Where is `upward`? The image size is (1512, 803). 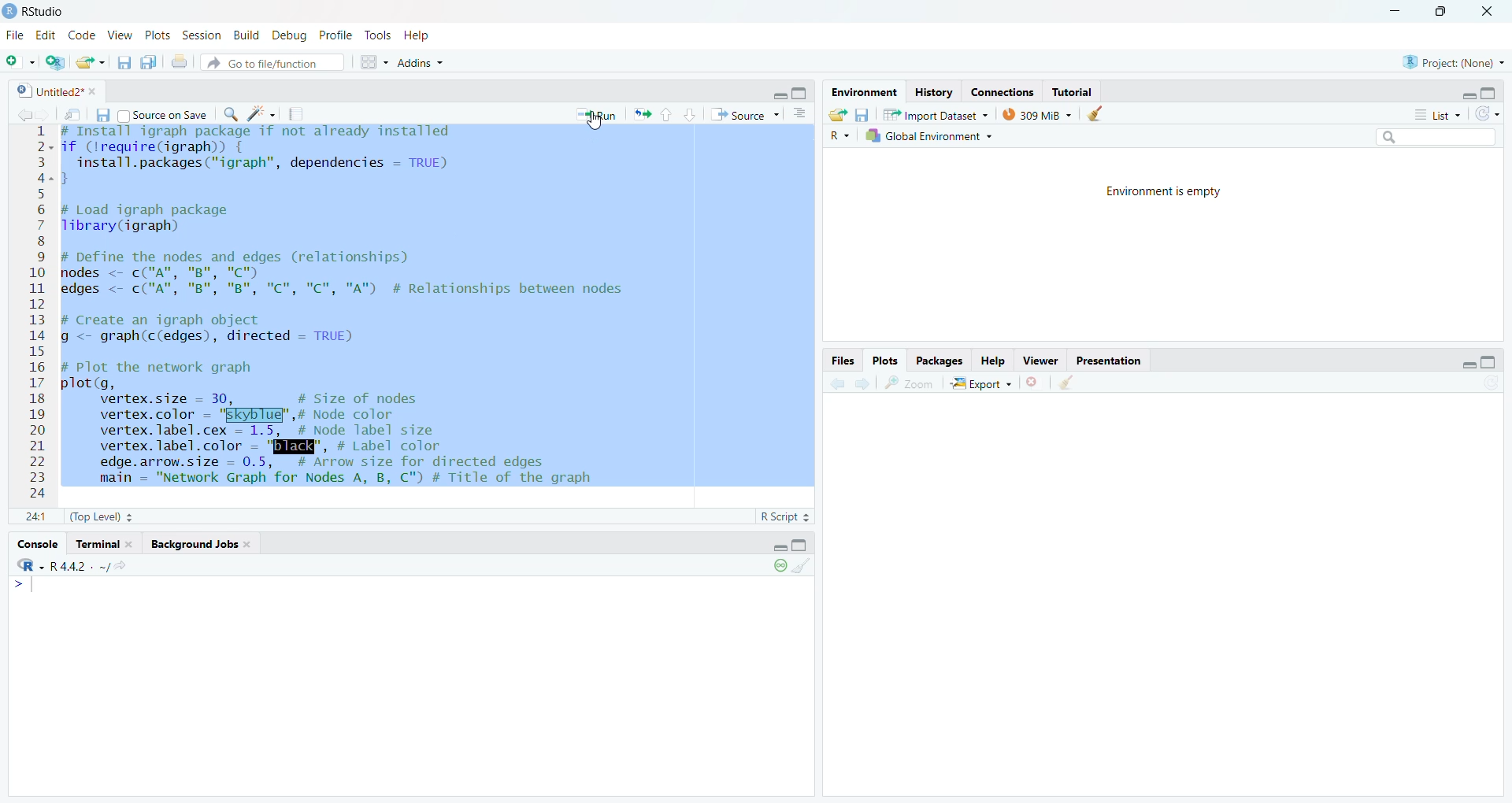 upward is located at coordinates (670, 116).